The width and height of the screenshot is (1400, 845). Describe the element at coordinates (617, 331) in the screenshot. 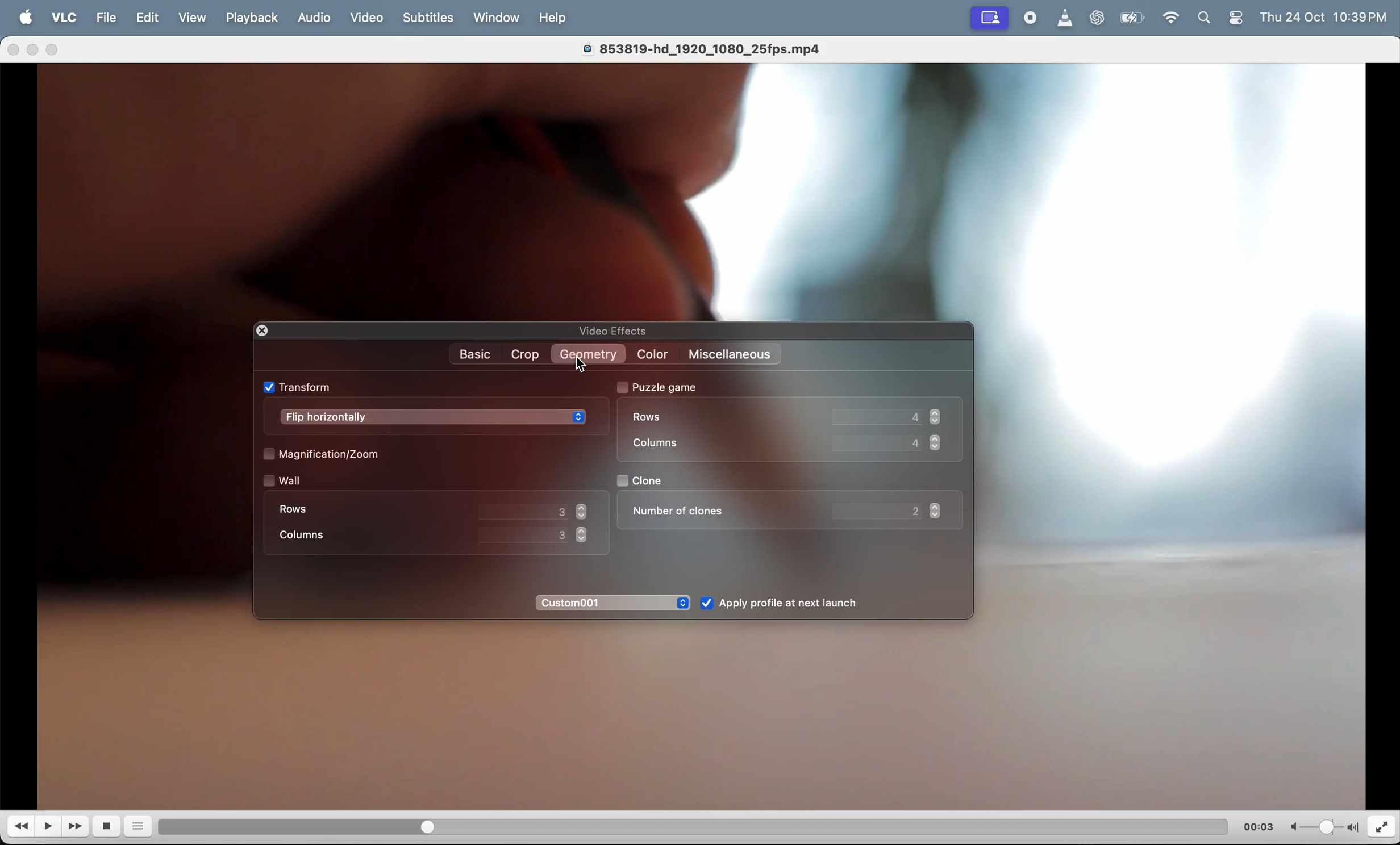

I see `video effects` at that location.